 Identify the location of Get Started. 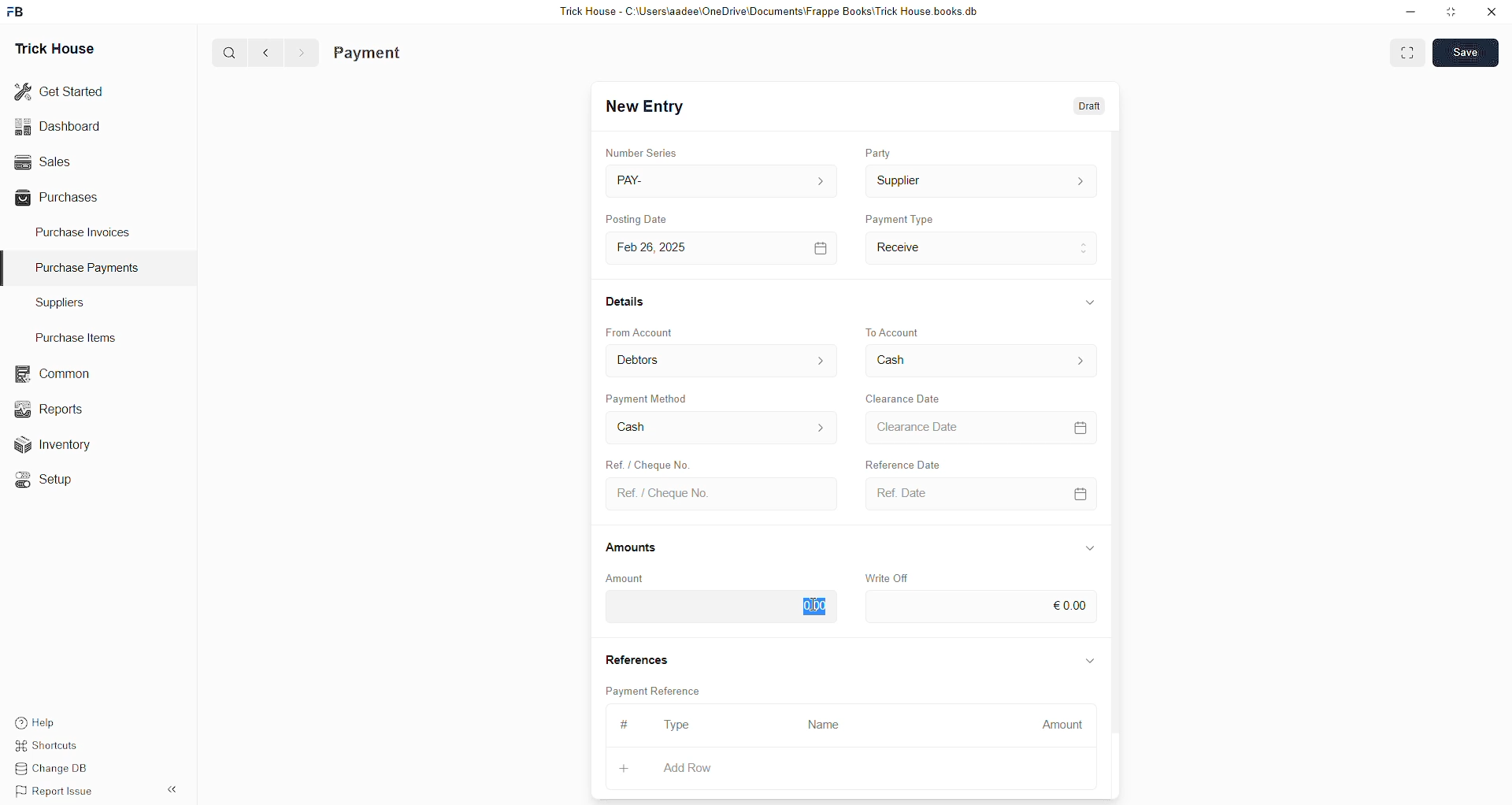
(62, 90).